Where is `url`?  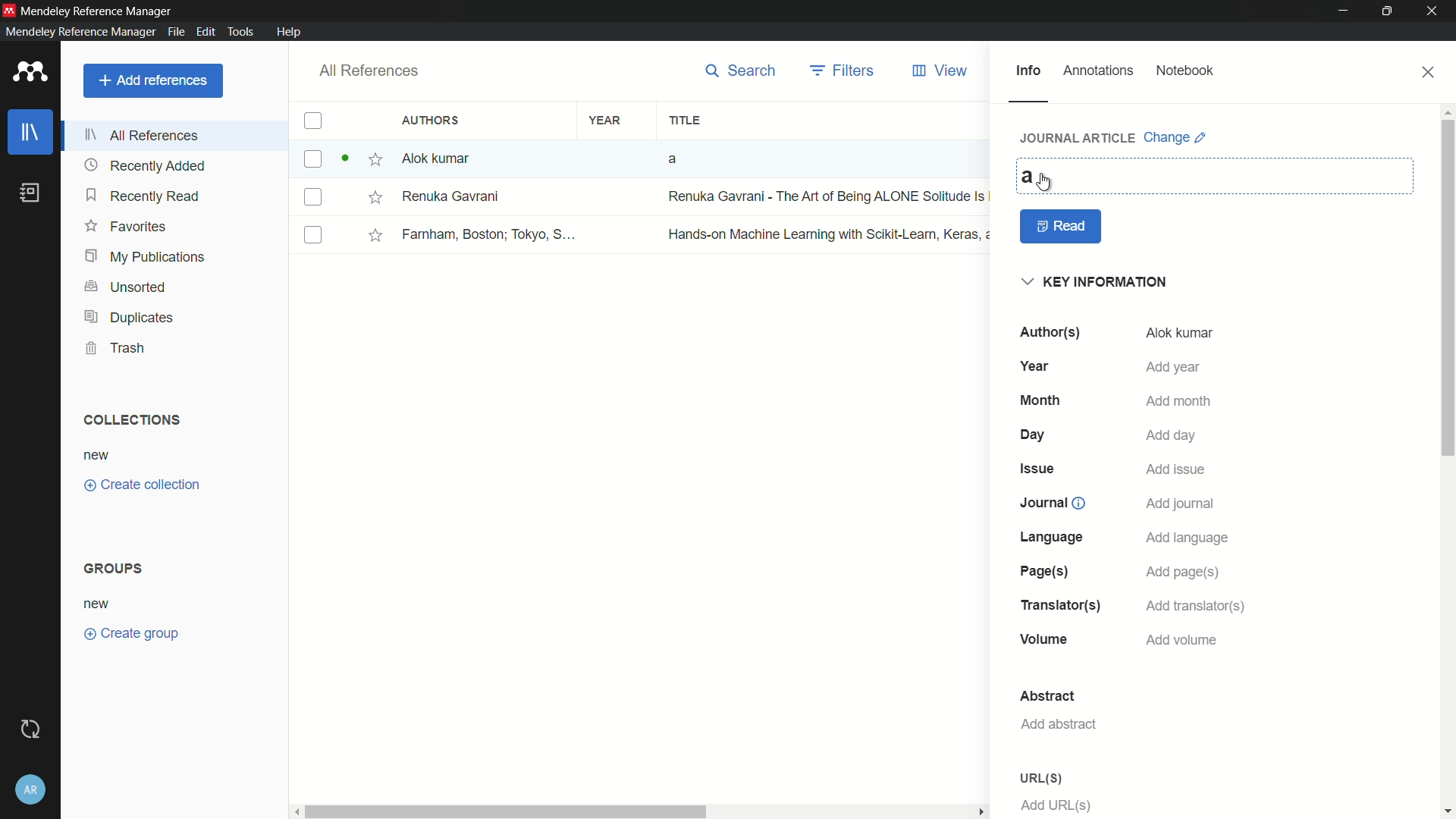
url is located at coordinates (1040, 778).